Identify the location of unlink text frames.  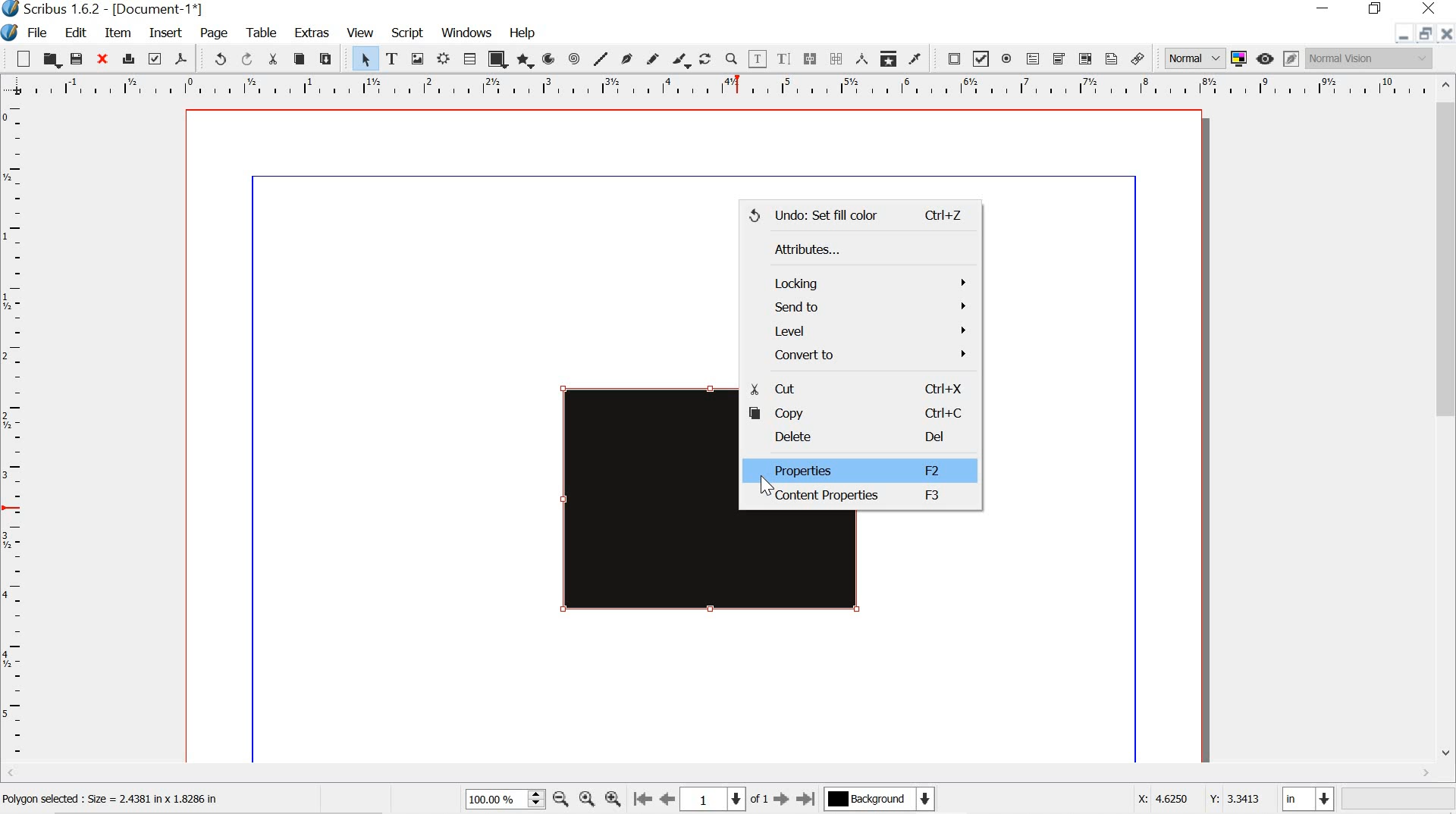
(834, 58).